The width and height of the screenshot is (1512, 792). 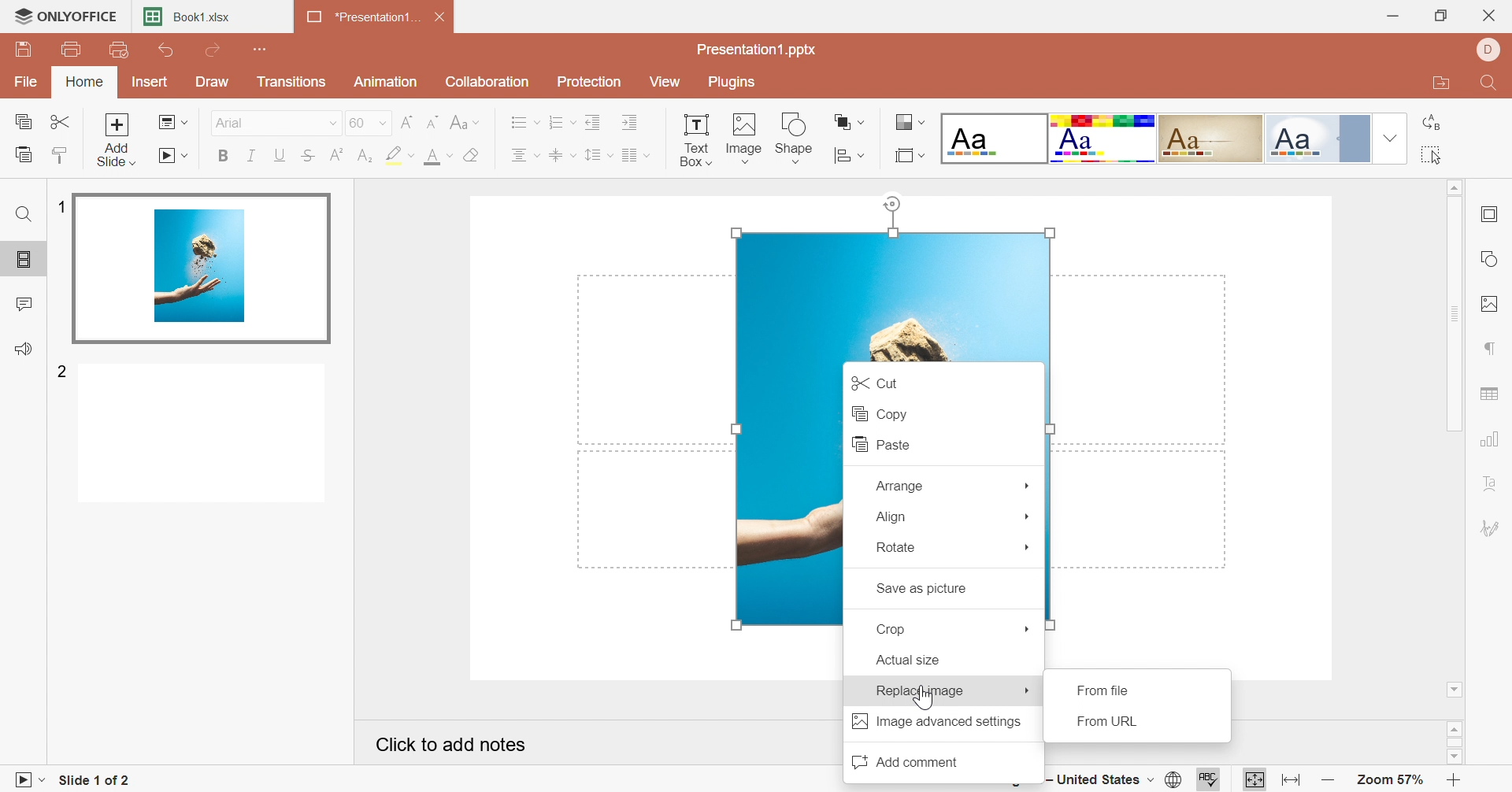 I want to click on From file, so click(x=1106, y=689).